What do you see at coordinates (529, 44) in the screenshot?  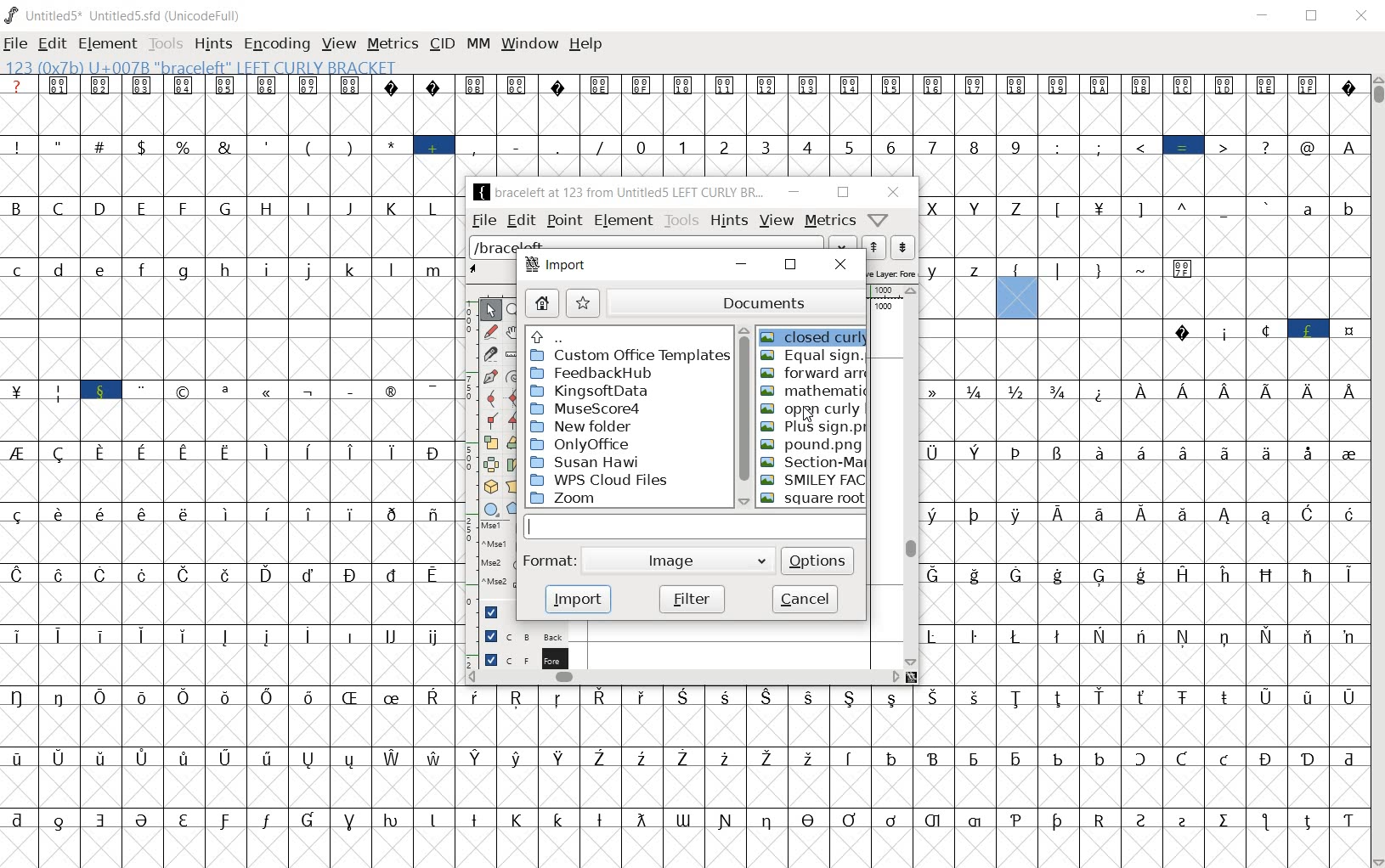 I see `window` at bounding box center [529, 44].